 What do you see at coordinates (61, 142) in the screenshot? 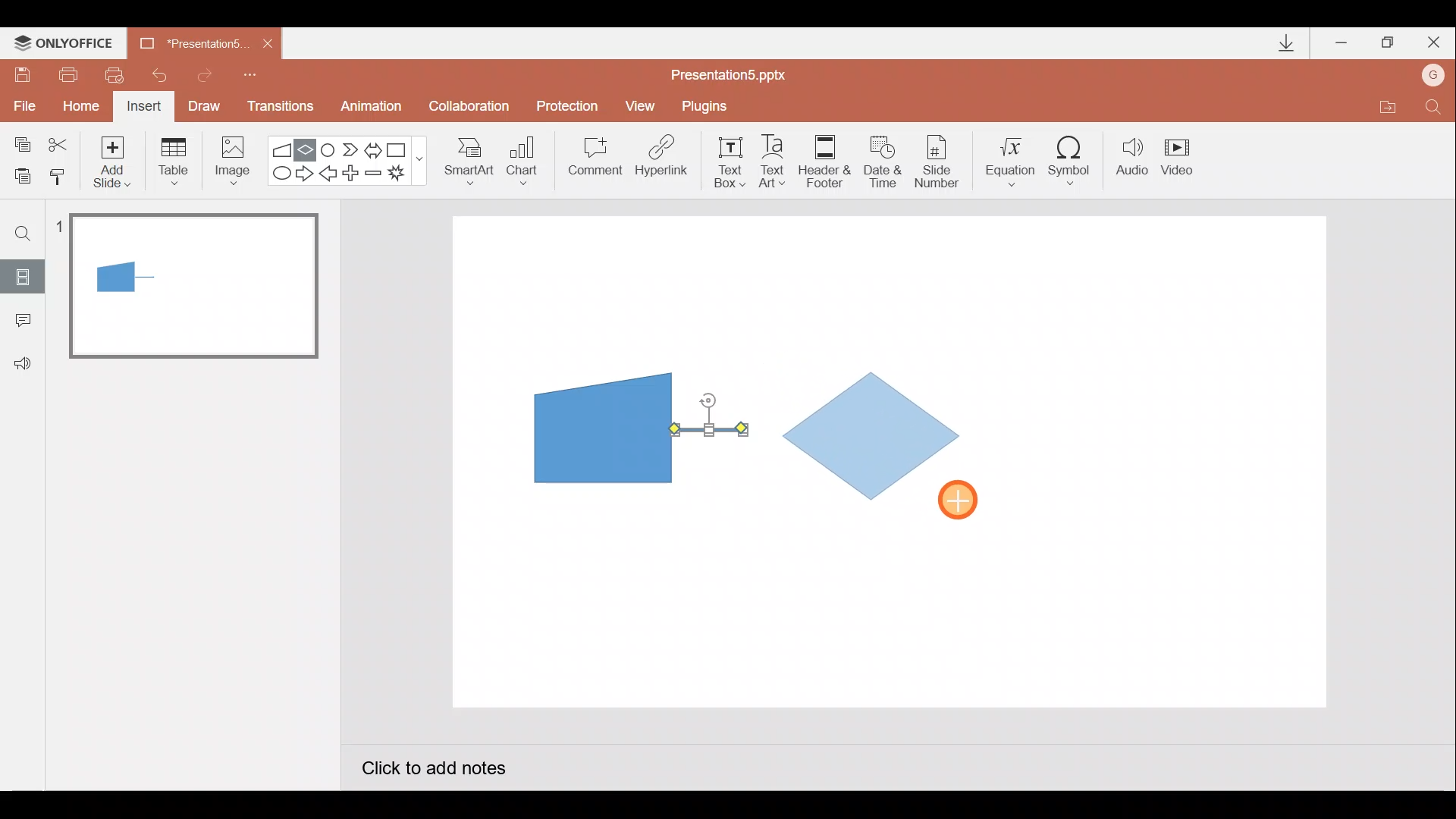
I see `Cut` at bounding box center [61, 142].